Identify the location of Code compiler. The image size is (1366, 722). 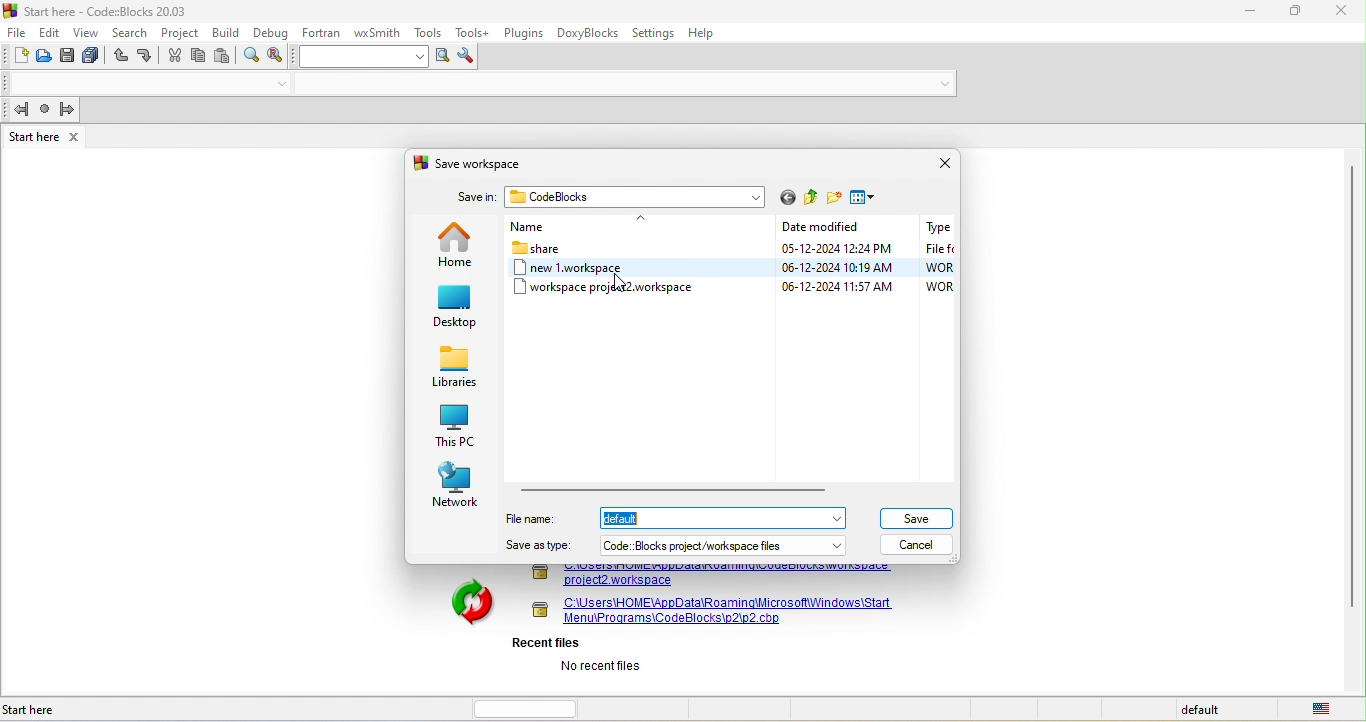
(482, 85).